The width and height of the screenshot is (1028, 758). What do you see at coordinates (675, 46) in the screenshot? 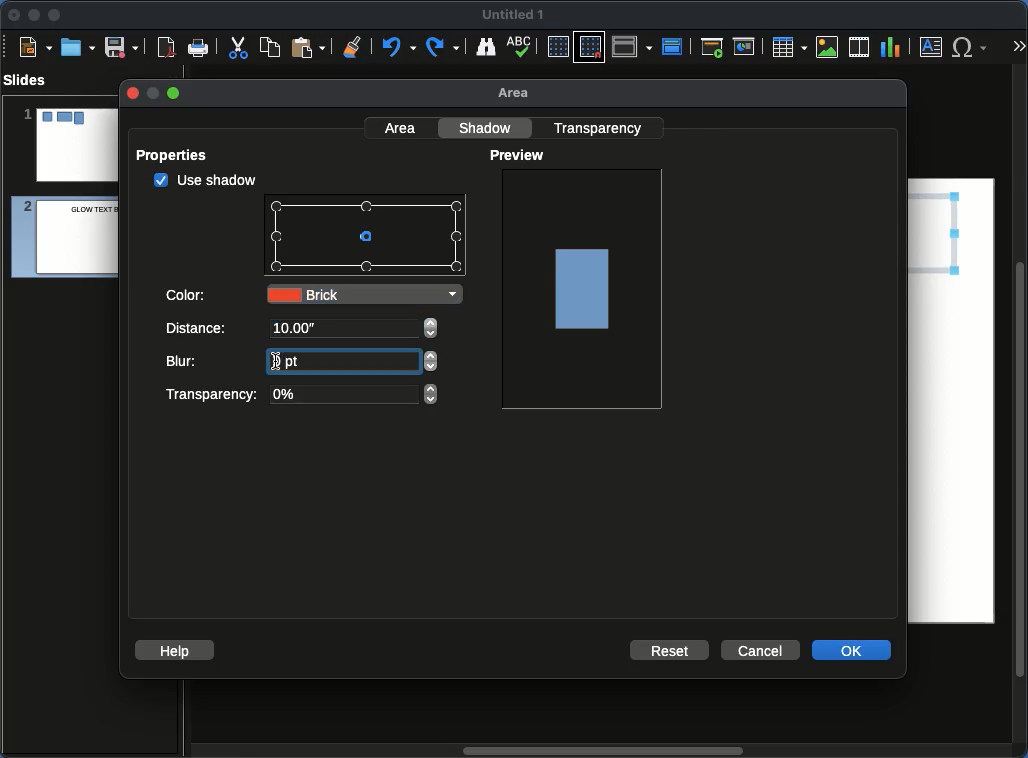
I see `Master slide` at bounding box center [675, 46].